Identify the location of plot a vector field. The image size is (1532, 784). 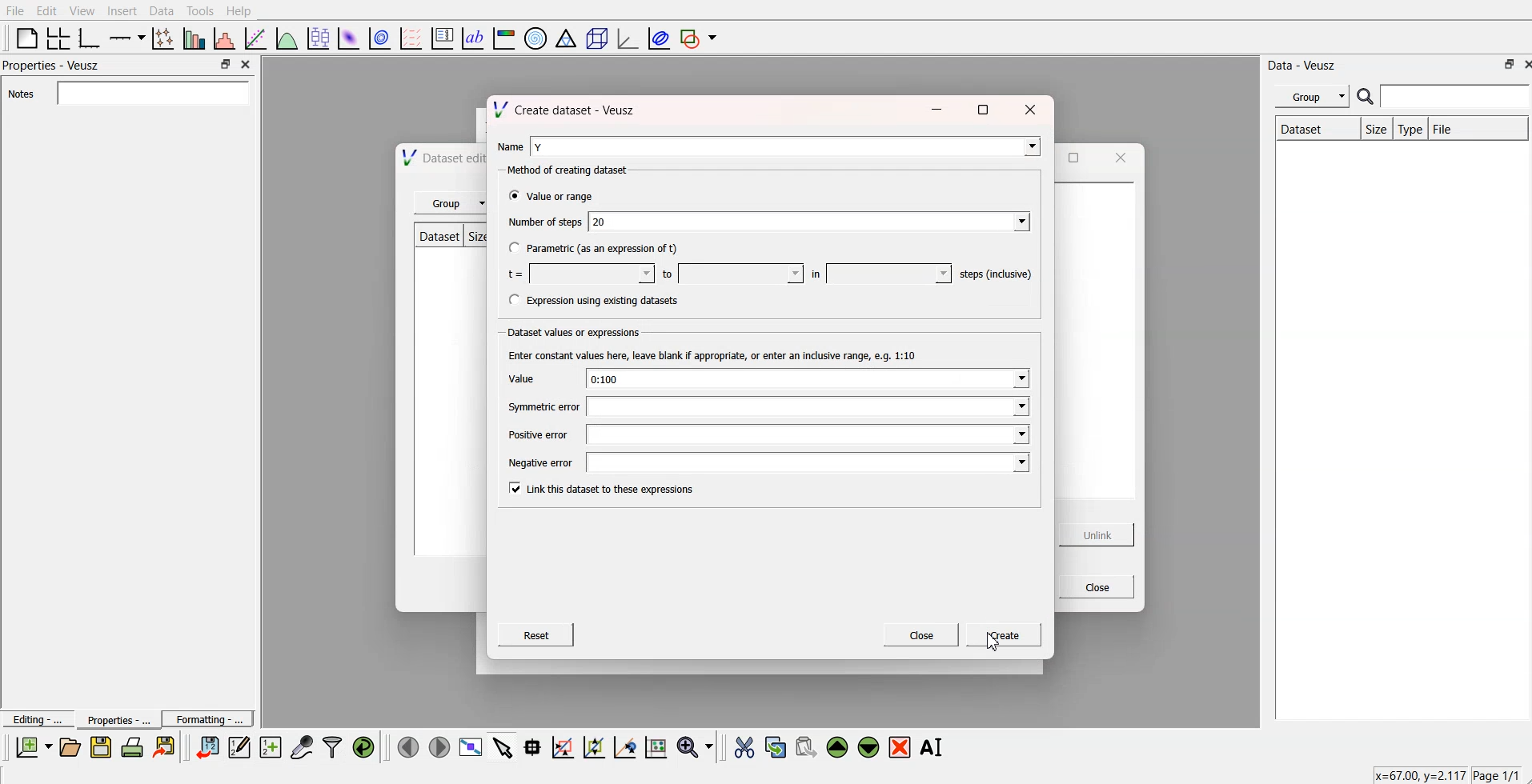
(413, 38).